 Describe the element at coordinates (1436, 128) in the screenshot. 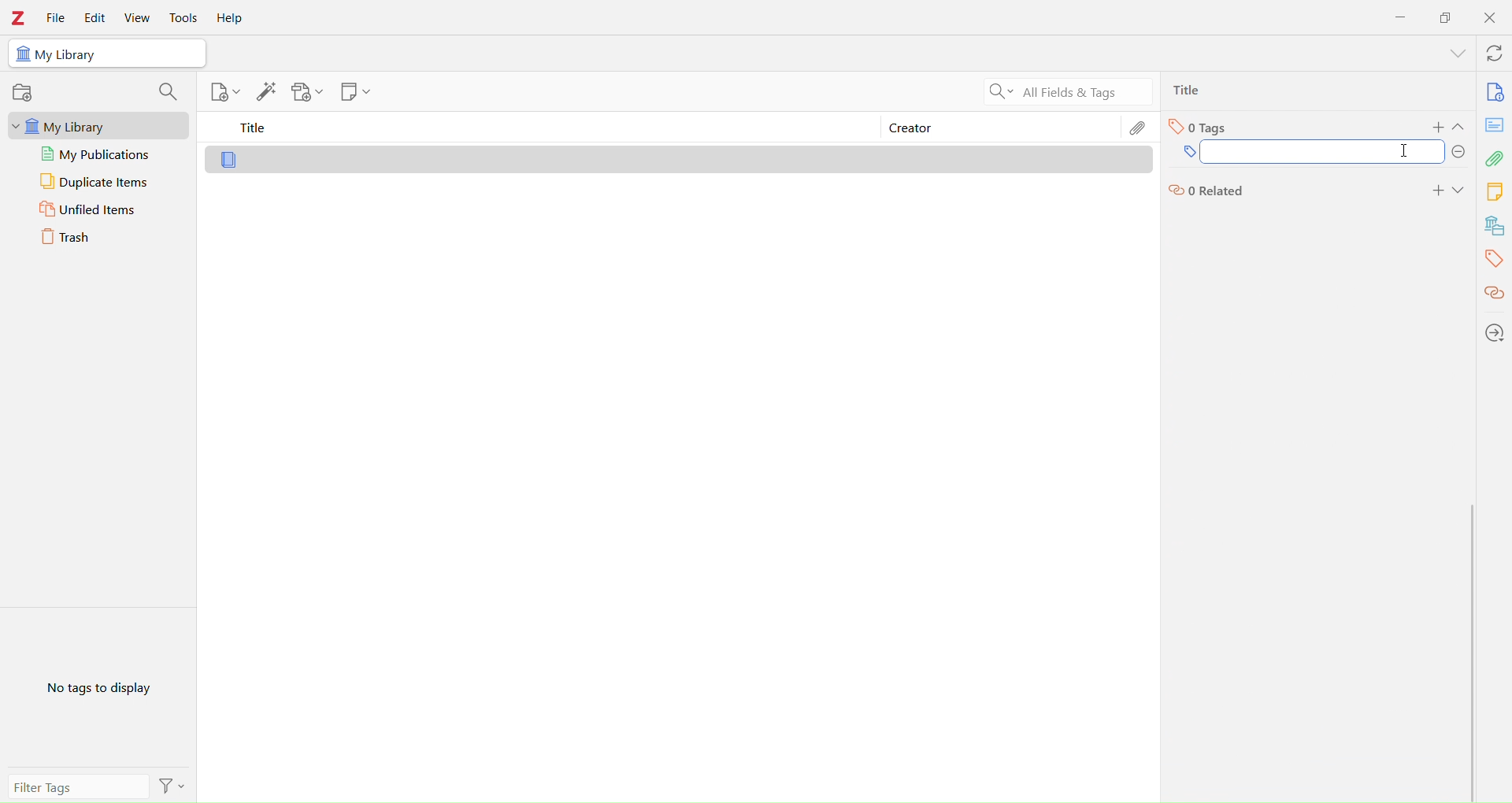

I see `` at that location.